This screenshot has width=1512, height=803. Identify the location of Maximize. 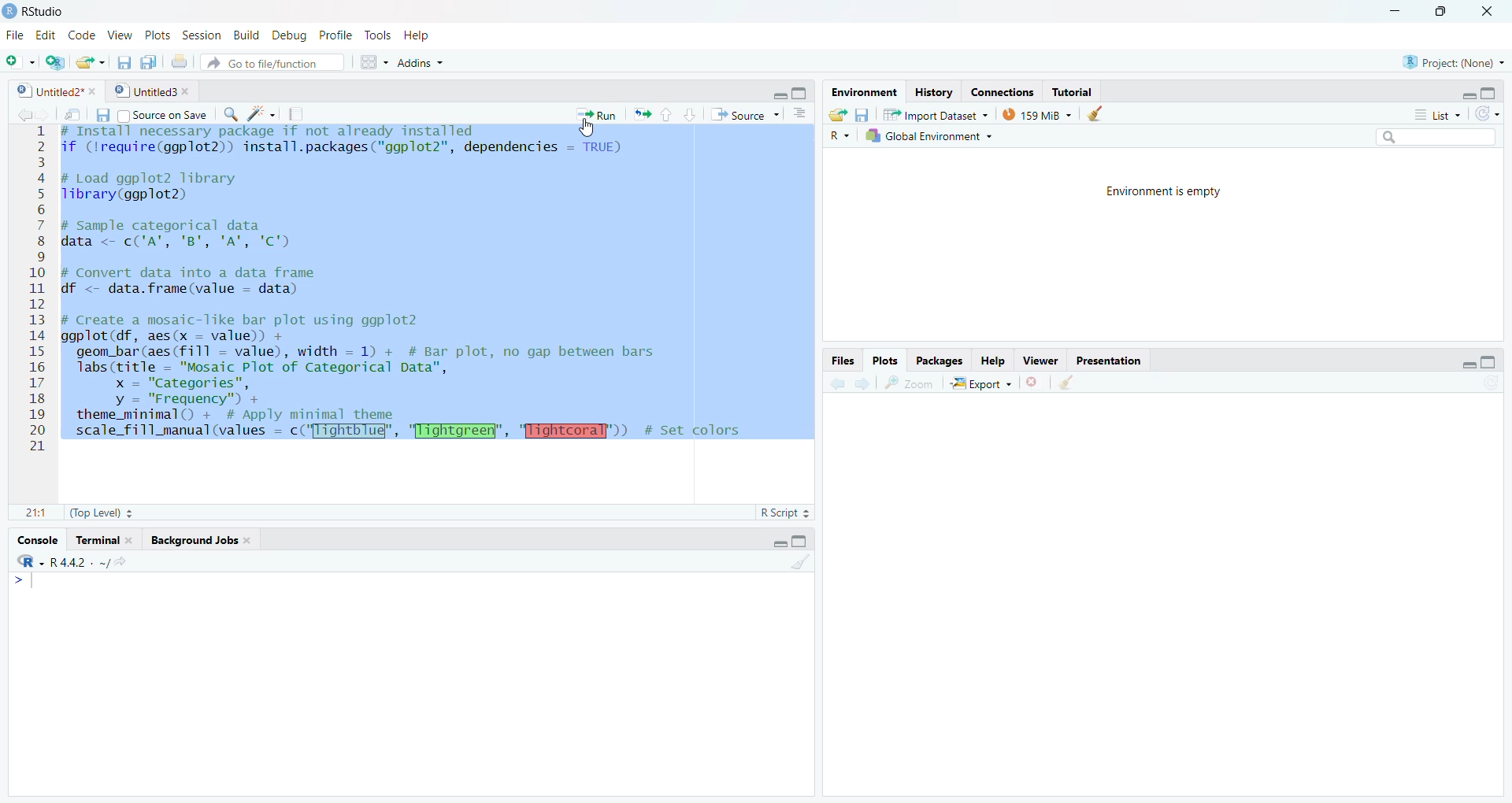
(1490, 364).